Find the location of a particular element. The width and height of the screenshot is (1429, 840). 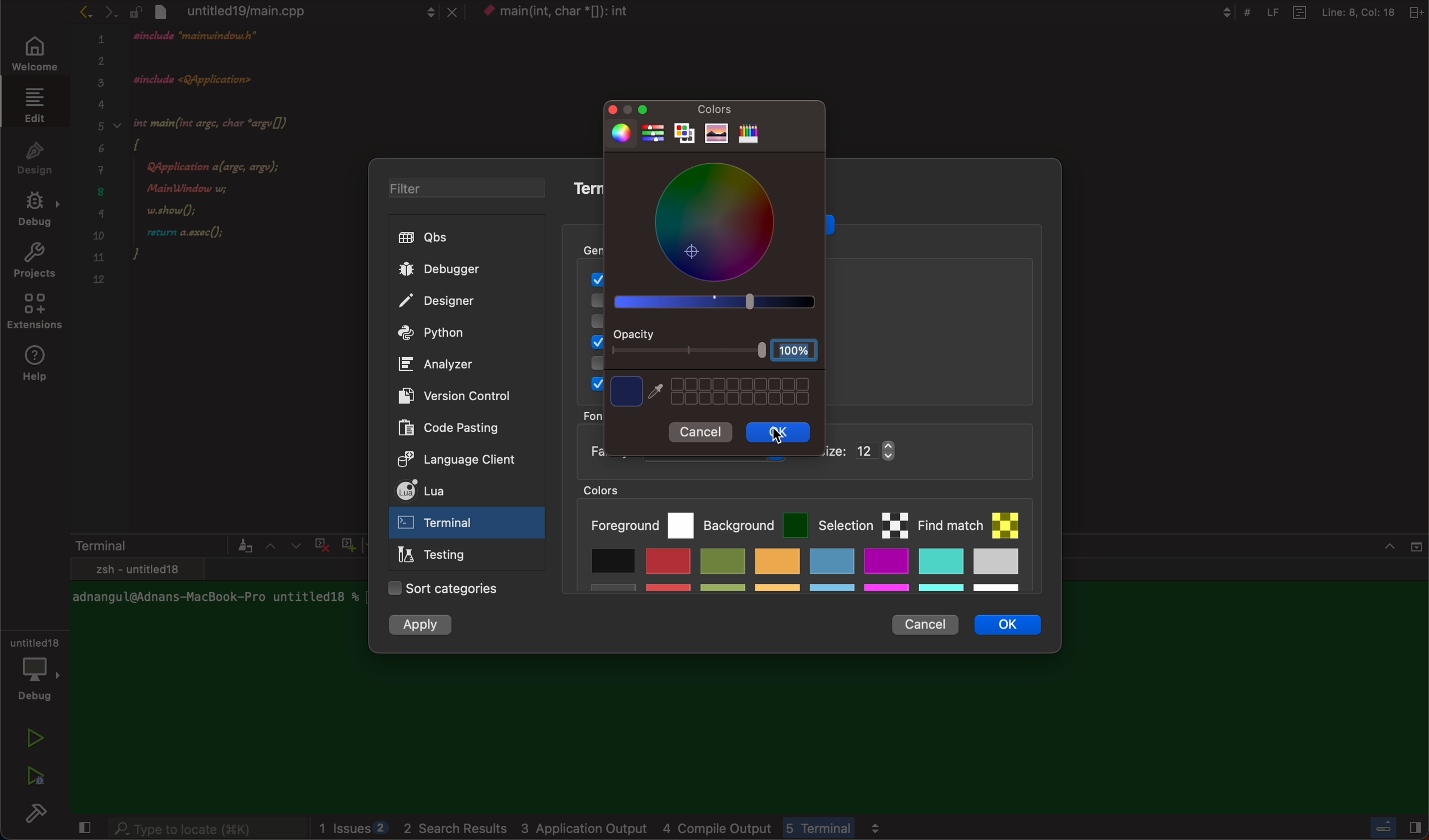

apply is located at coordinates (422, 626).